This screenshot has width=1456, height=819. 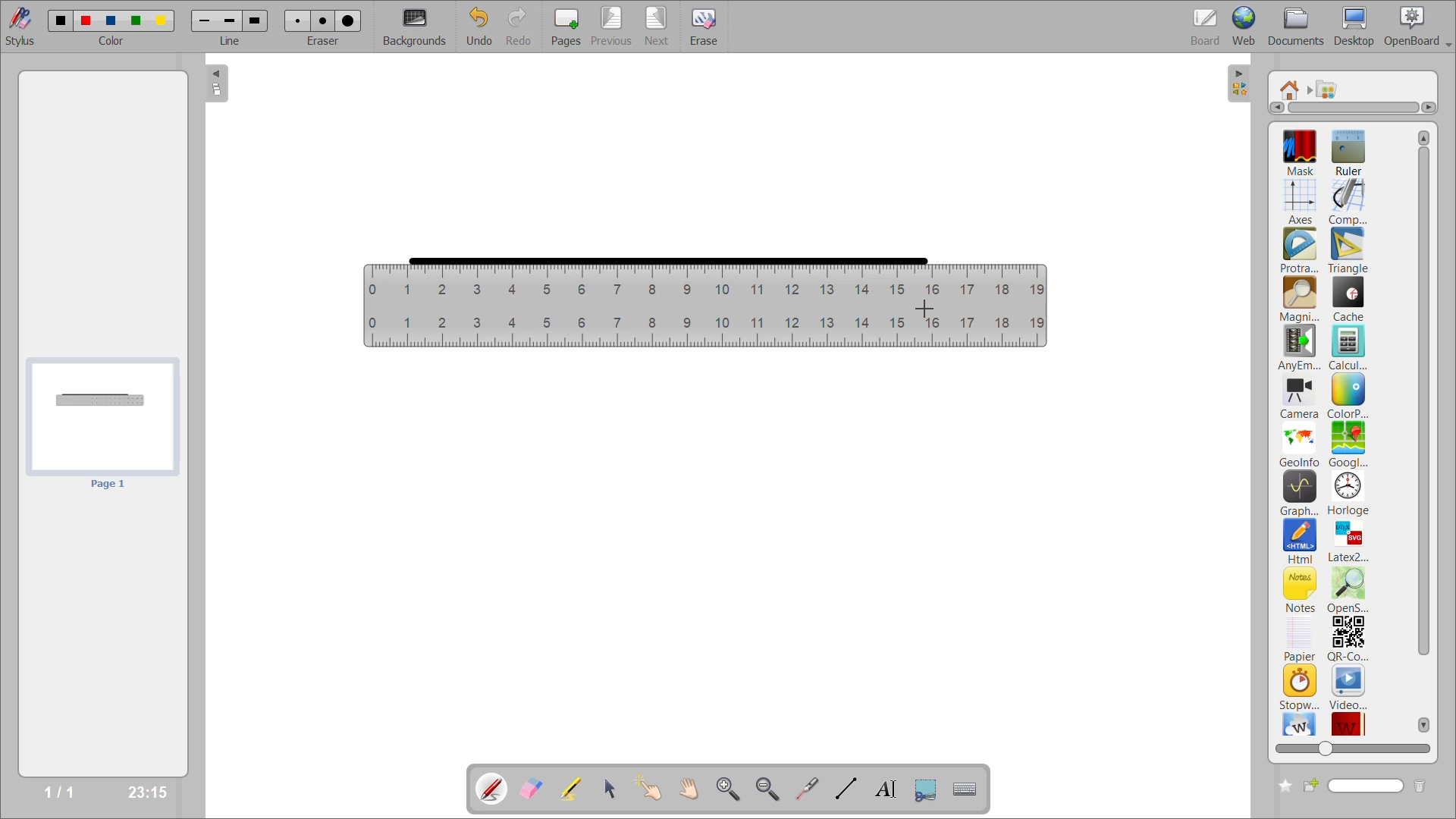 I want to click on eraser 3, so click(x=348, y=20).